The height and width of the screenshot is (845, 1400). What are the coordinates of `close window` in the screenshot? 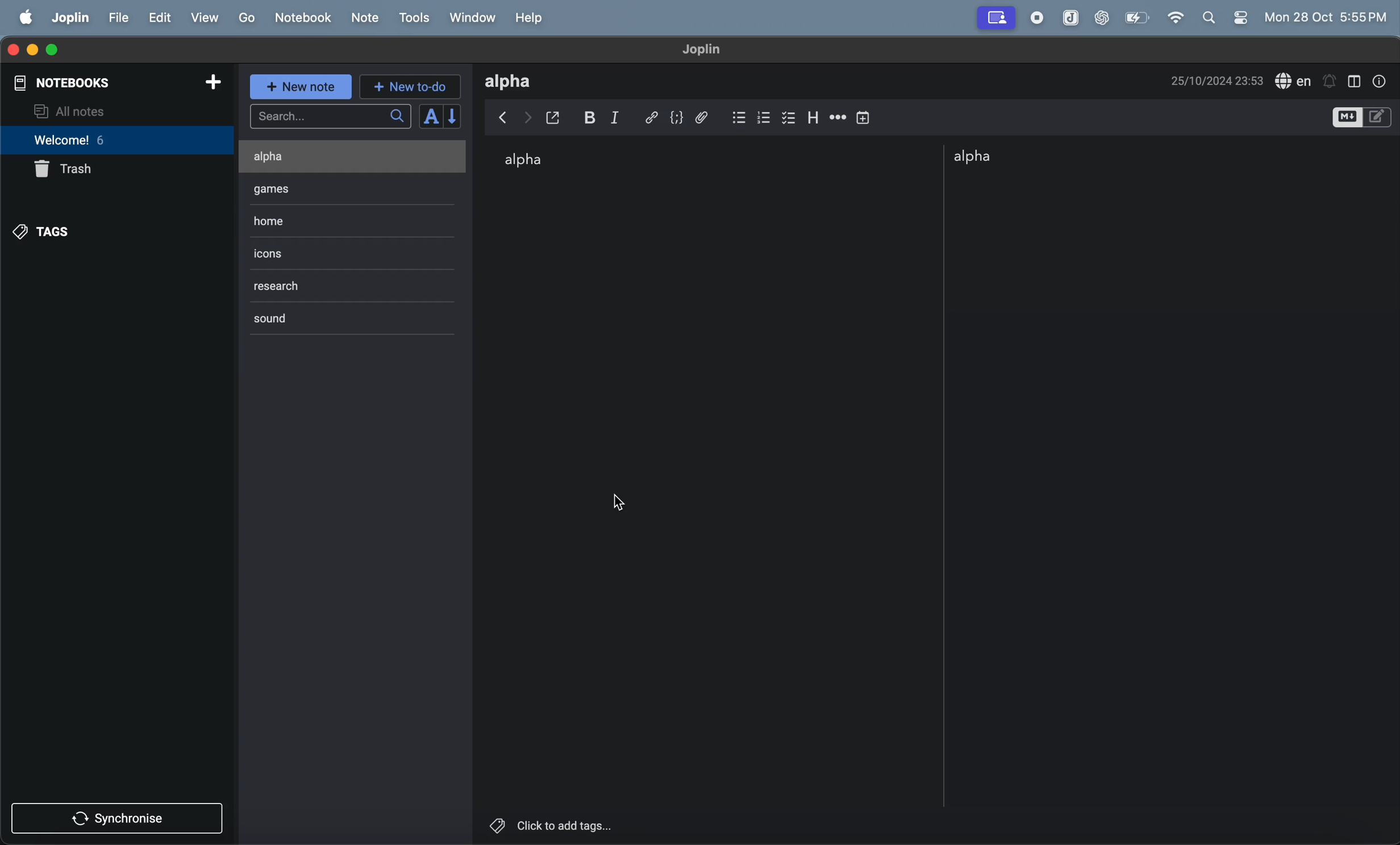 It's located at (14, 49).